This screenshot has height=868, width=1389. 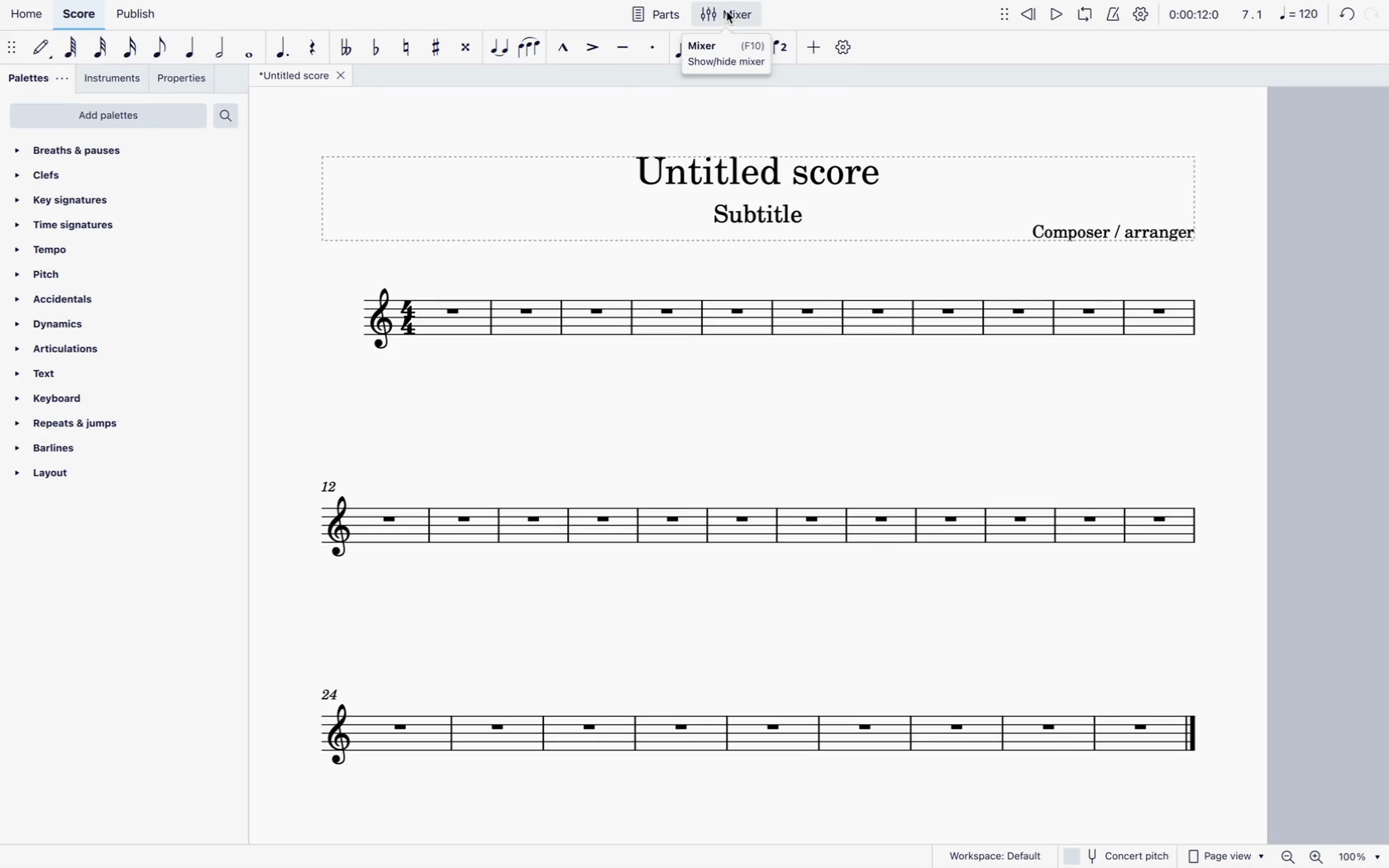 I want to click on parts, so click(x=657, y=14).